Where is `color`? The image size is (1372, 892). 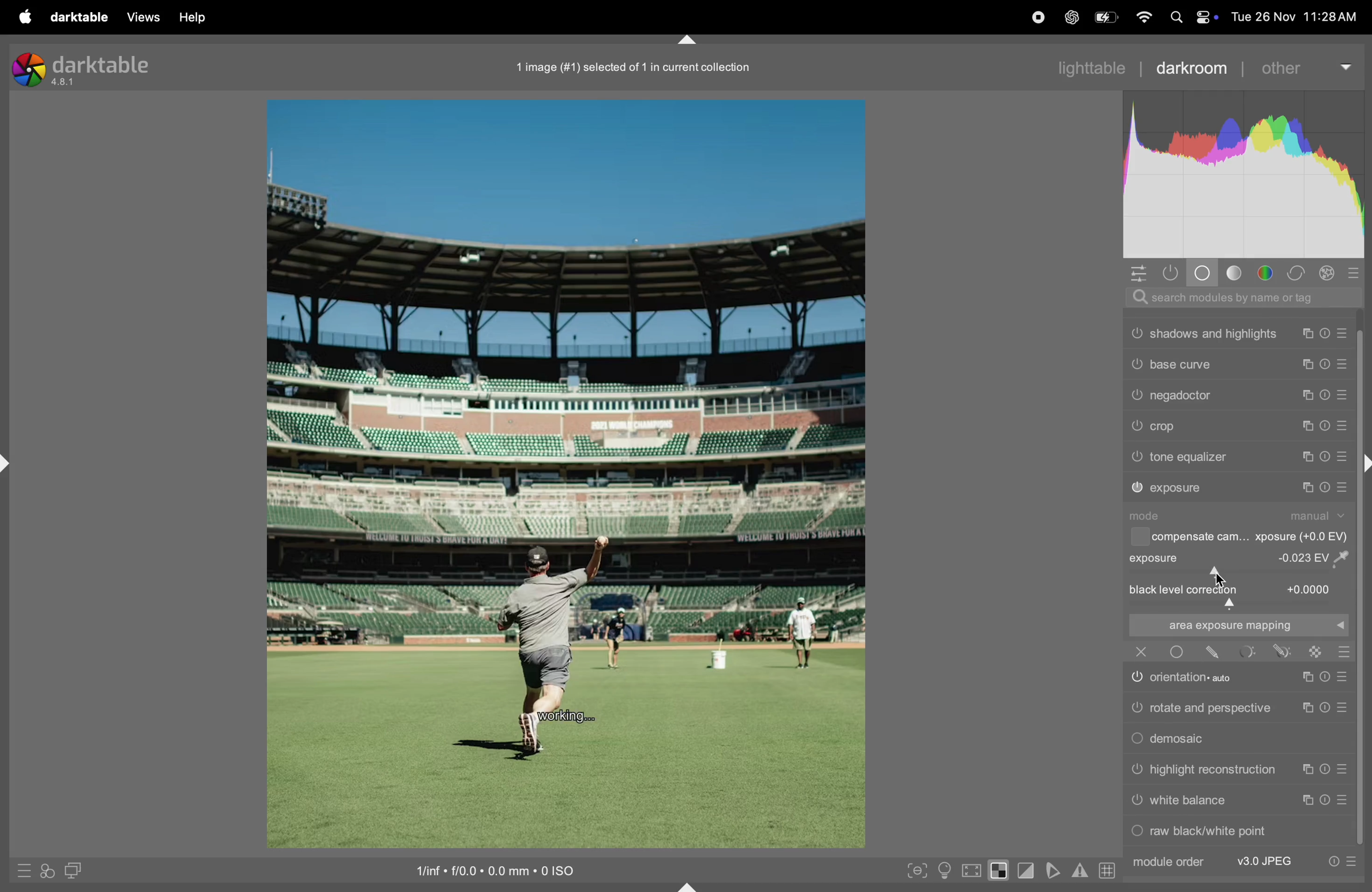 color is located at coordinates (1267, 273).